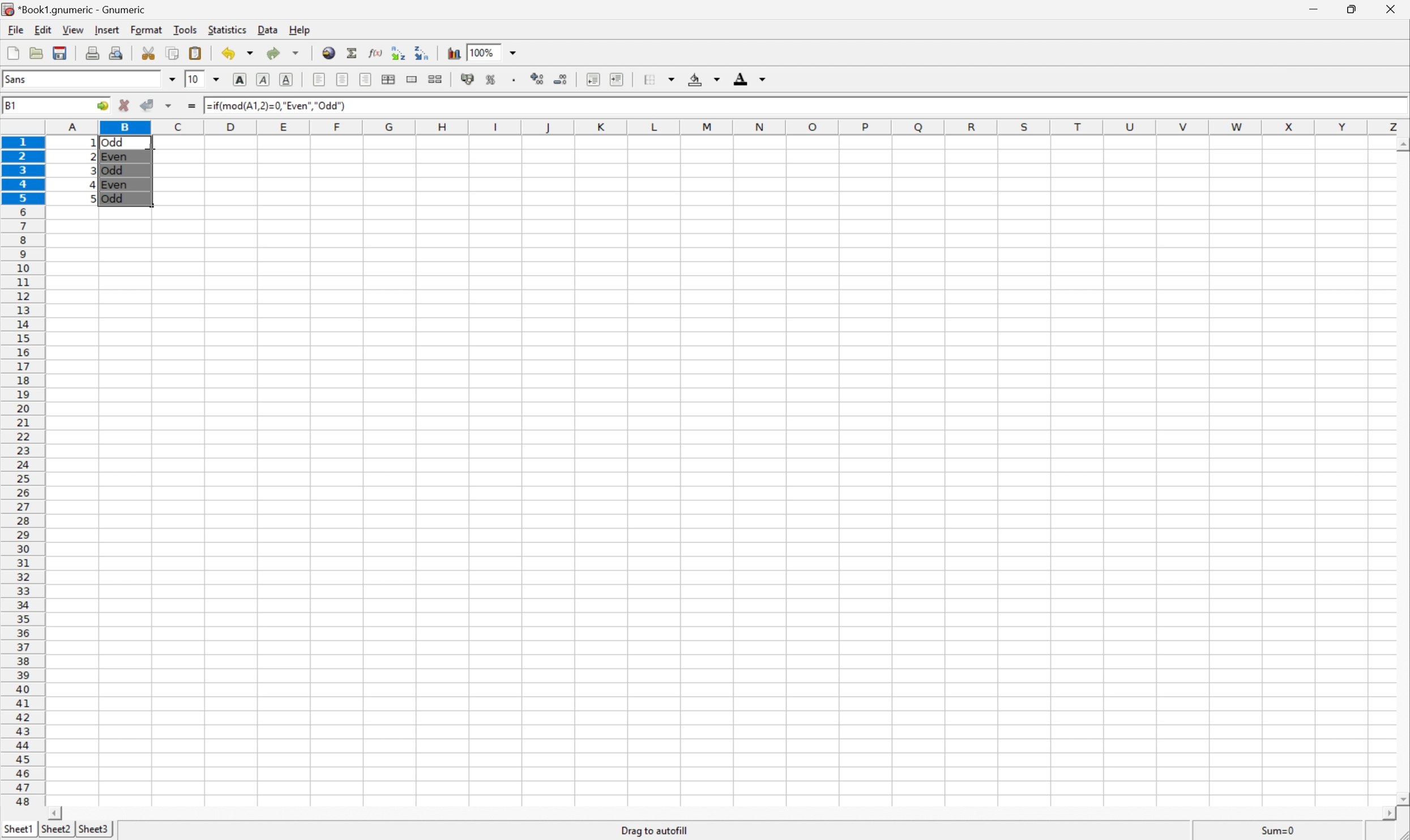  I want to click on 4, so click(95, 185).